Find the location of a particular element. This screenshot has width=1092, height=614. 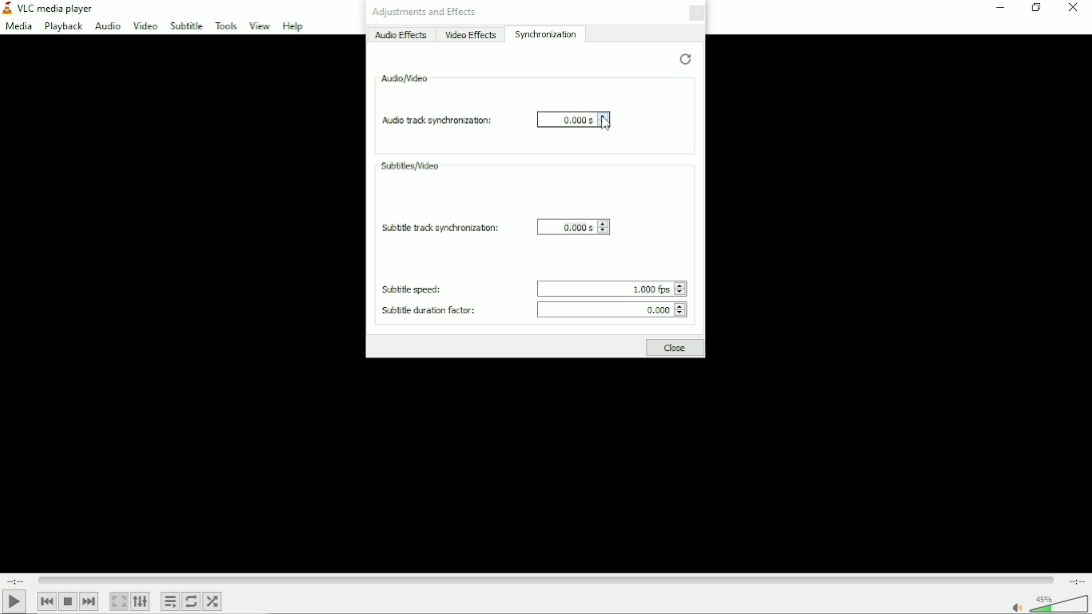

Close is located at coordinates (697, 13).